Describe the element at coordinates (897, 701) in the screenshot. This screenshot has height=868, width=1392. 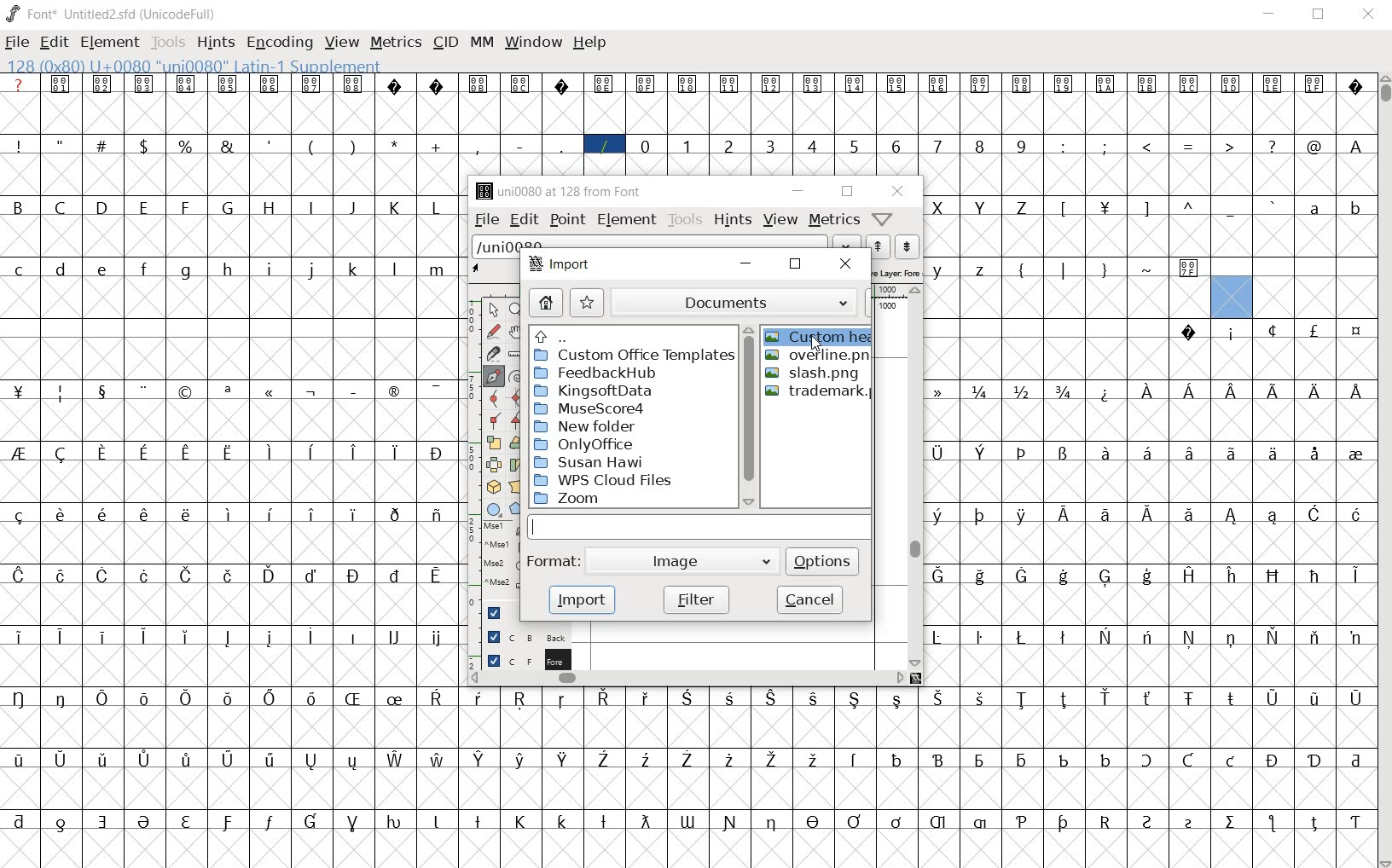
I see `glyph` at that location.